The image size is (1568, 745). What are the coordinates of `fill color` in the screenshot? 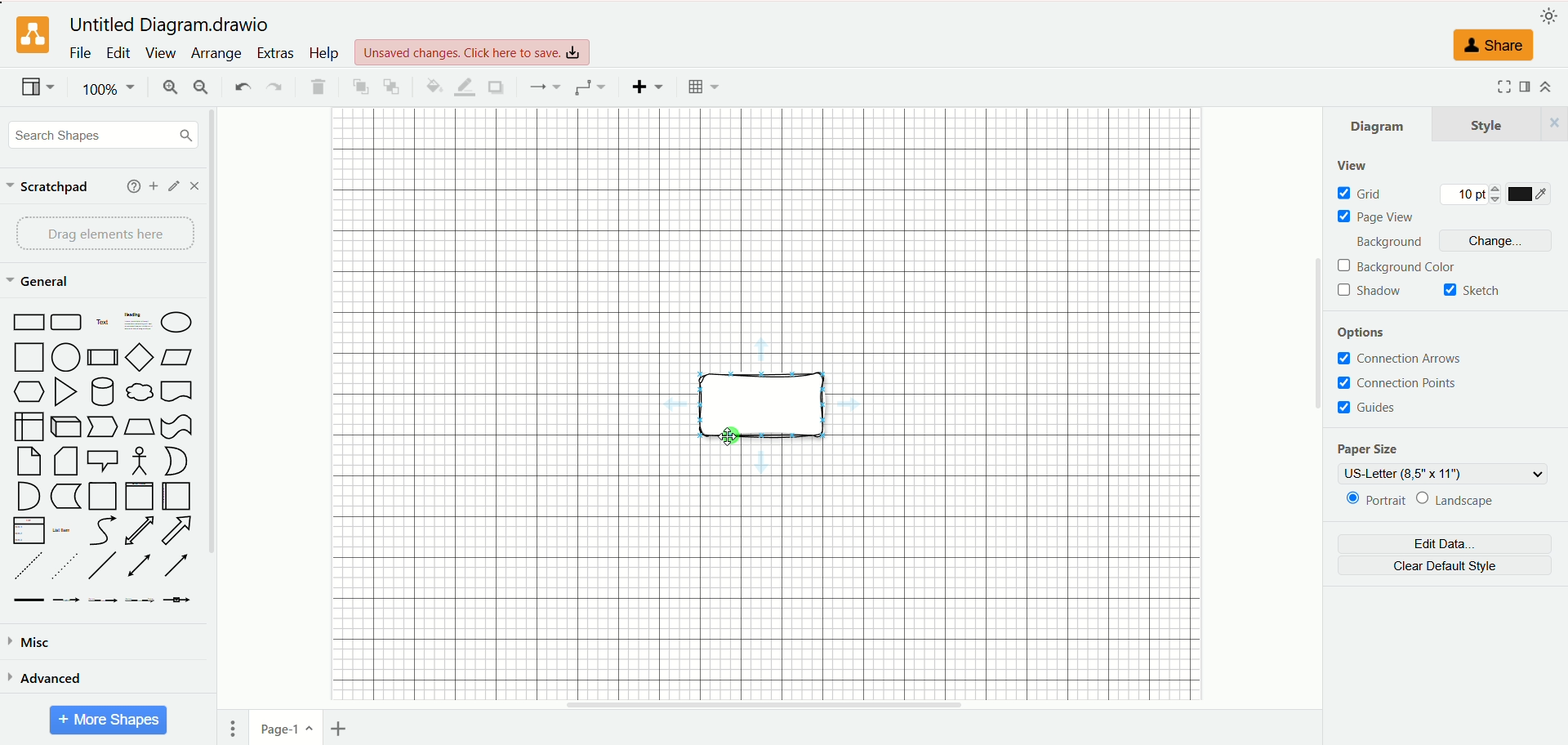 It's located at (434, 86).